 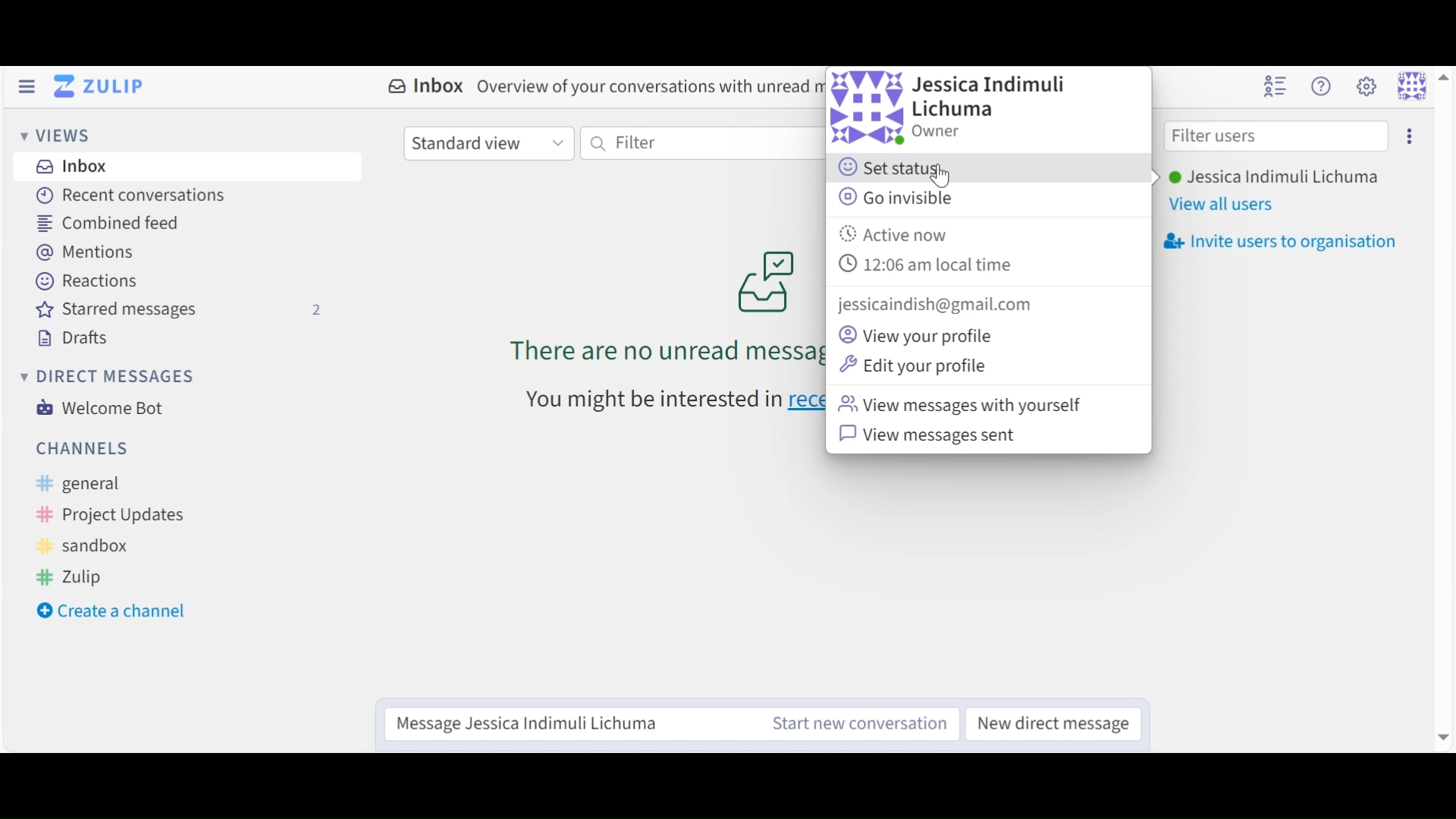 What do you see at coordinates (934, 435) in the screenshot?
I see `View messages sent` at bounding box center [934, 435].